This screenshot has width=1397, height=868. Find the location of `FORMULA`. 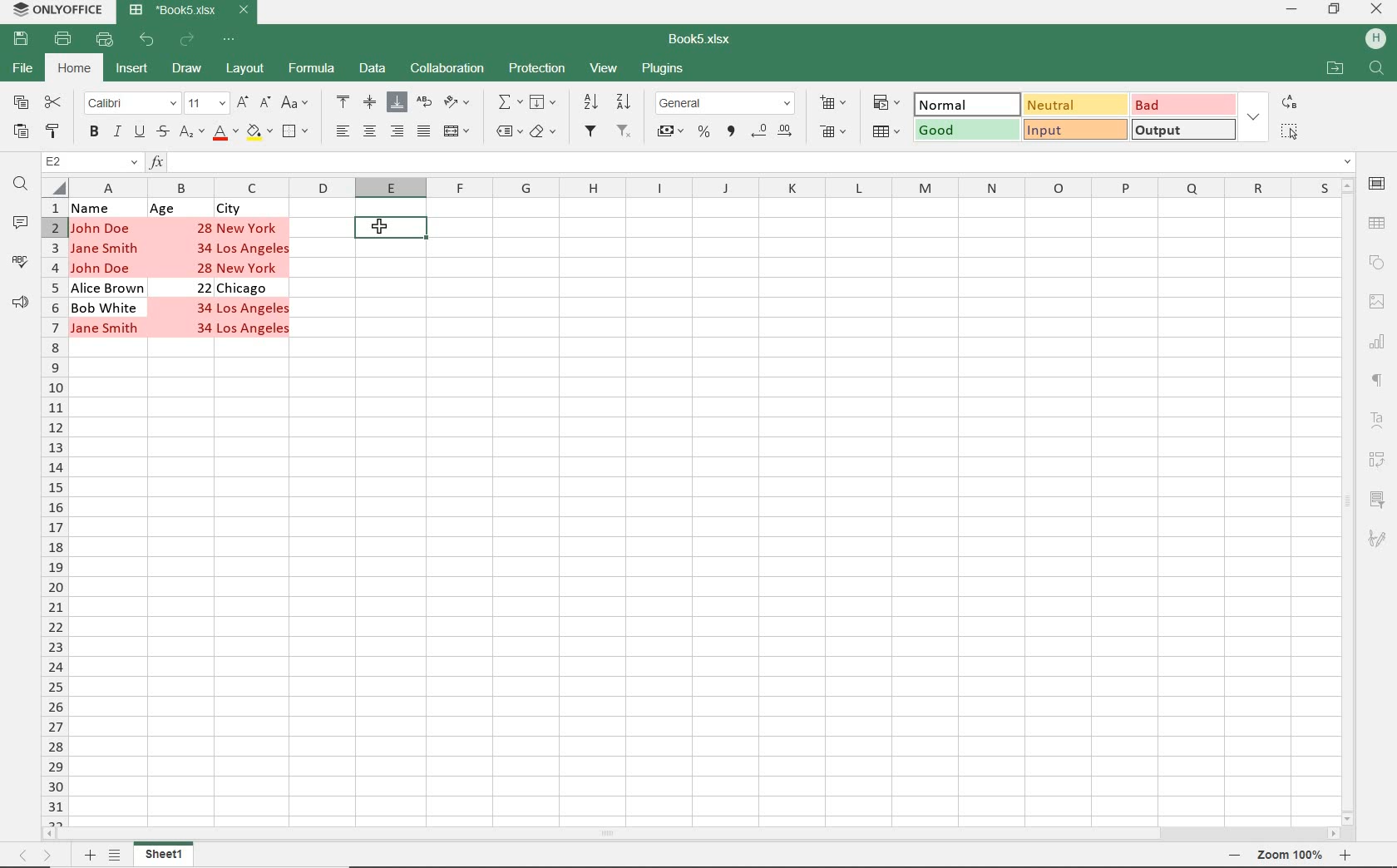

FORMULA is located at coordinates (312, 72).